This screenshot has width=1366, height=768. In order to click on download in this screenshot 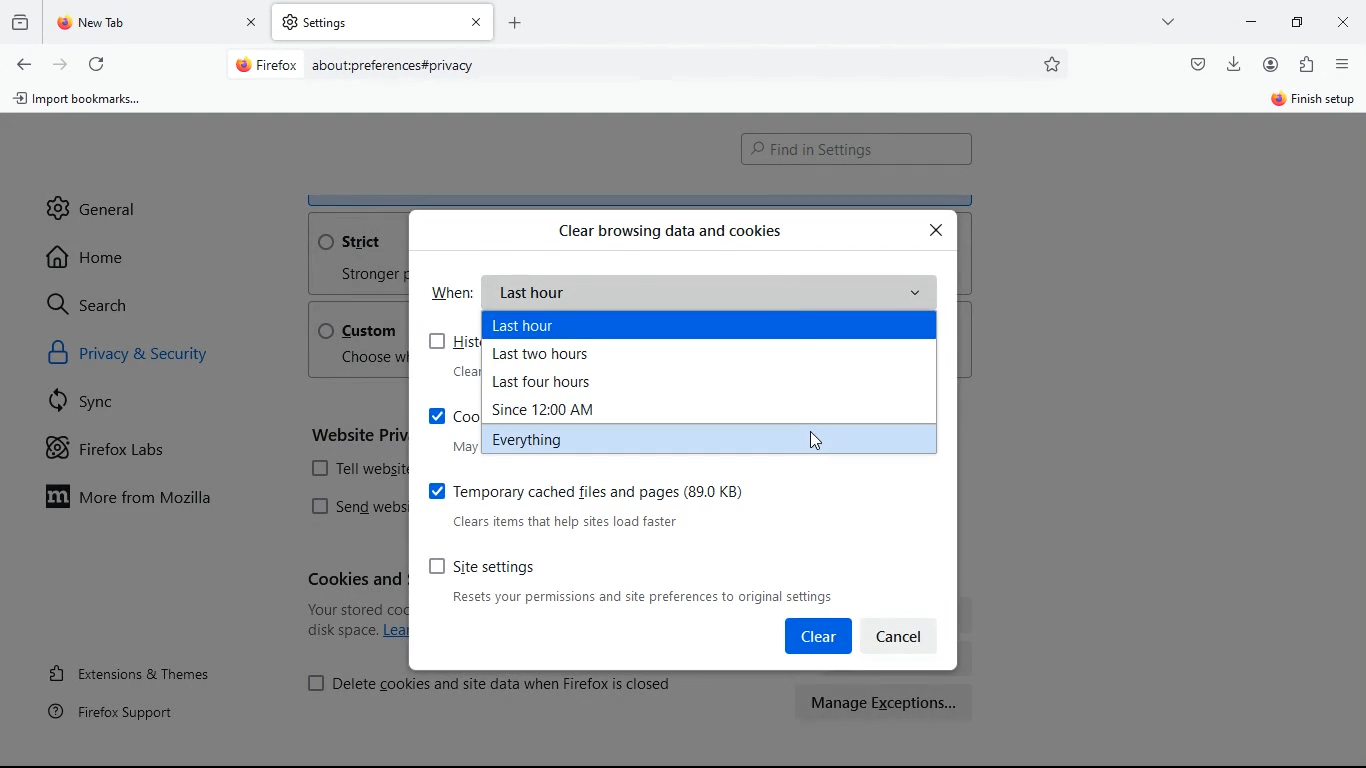, I will do `click(1234, 62)`.